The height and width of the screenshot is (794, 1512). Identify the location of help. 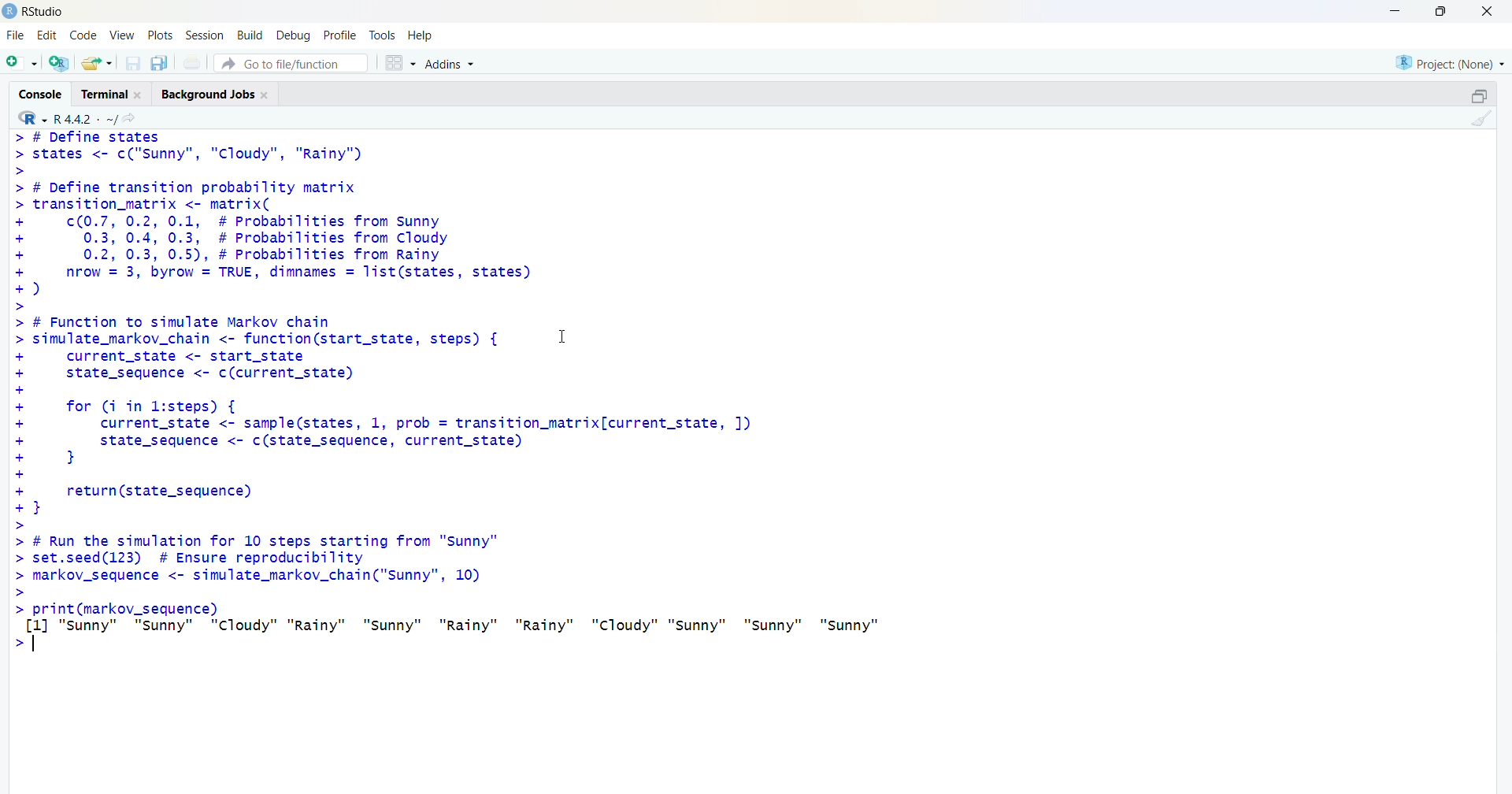
(422, 35).